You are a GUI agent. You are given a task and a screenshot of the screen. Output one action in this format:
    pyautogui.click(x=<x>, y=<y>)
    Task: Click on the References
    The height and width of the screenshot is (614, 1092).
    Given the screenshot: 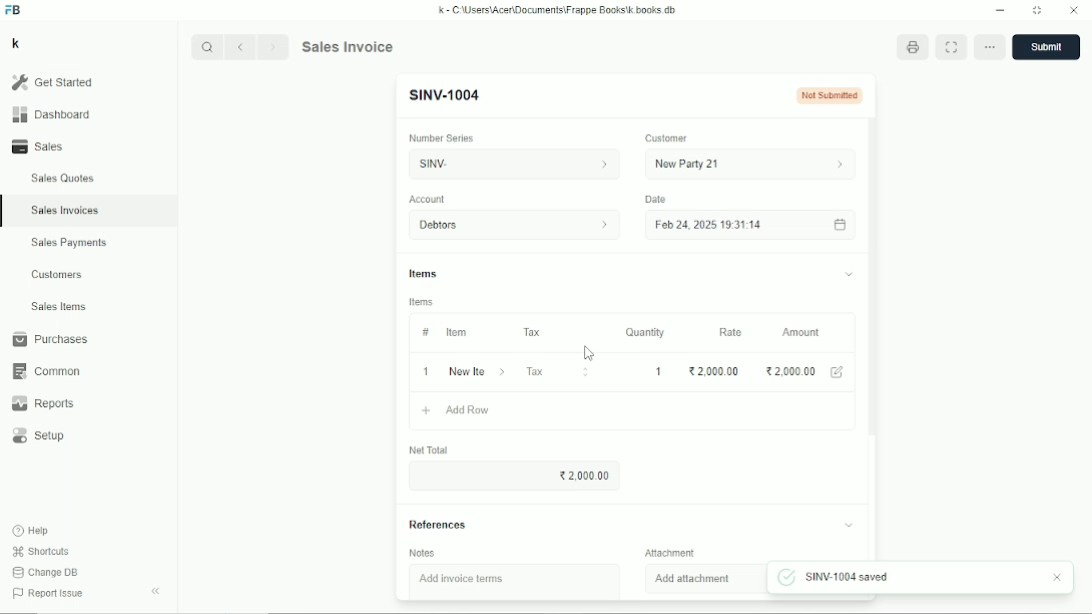 What is the action you would take?
    pyautogui.click(x=631, y=525)
    